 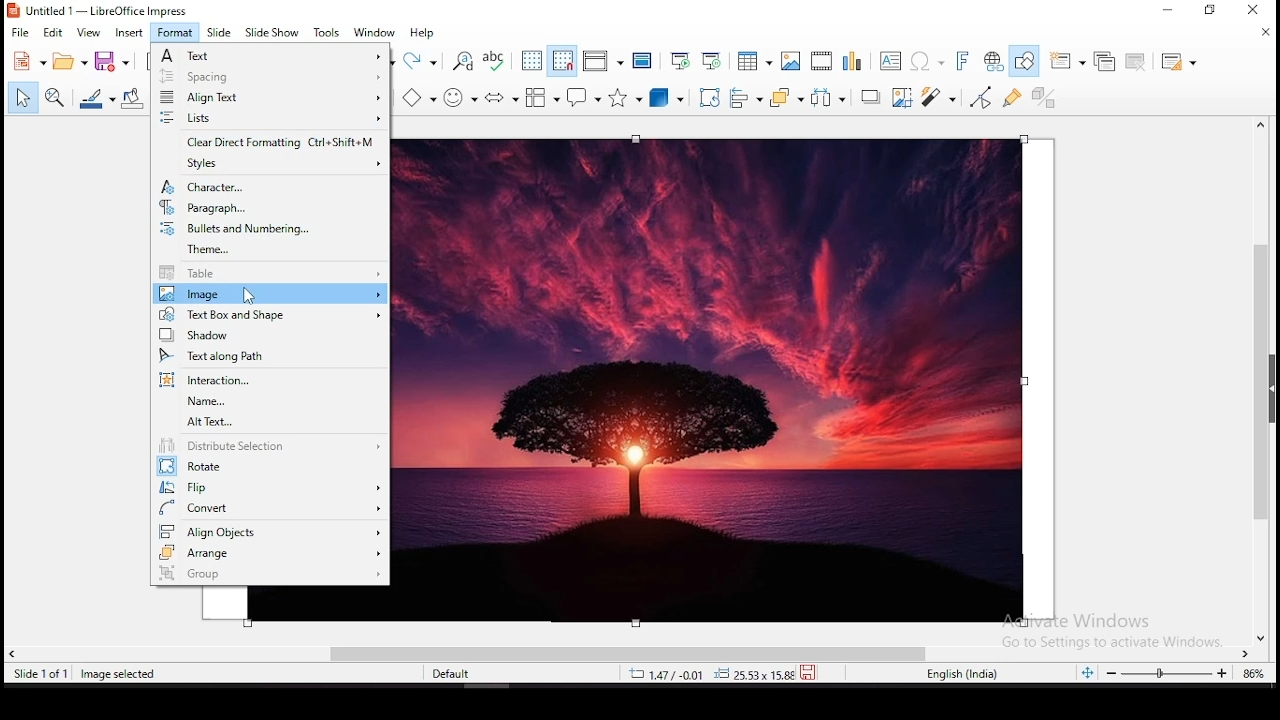 What do you see at coordinates (248, 297) in the screenshot?
I see `mouse pointer` at bounding box center [248, 297].